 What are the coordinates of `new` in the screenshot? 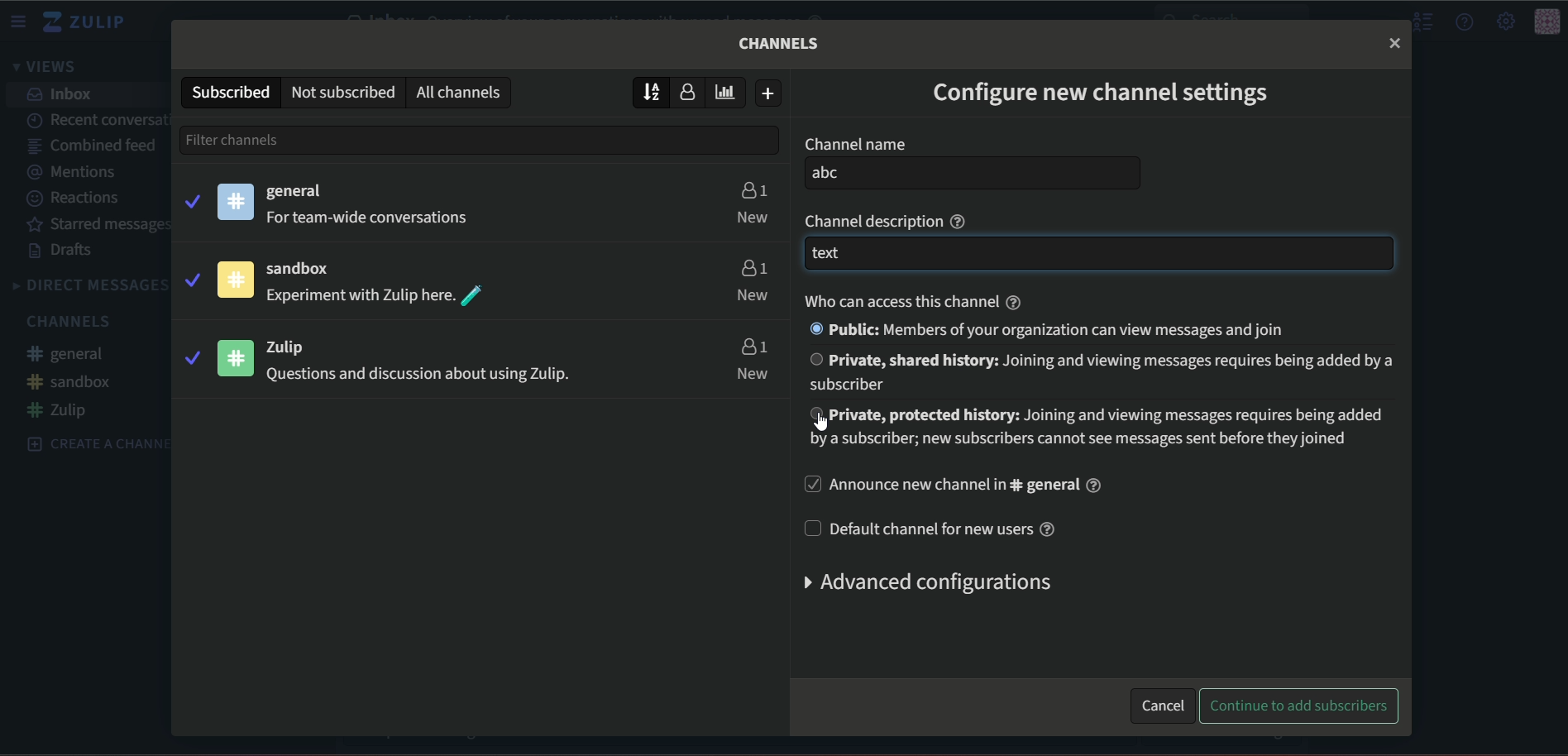 It's located at (753, 217).